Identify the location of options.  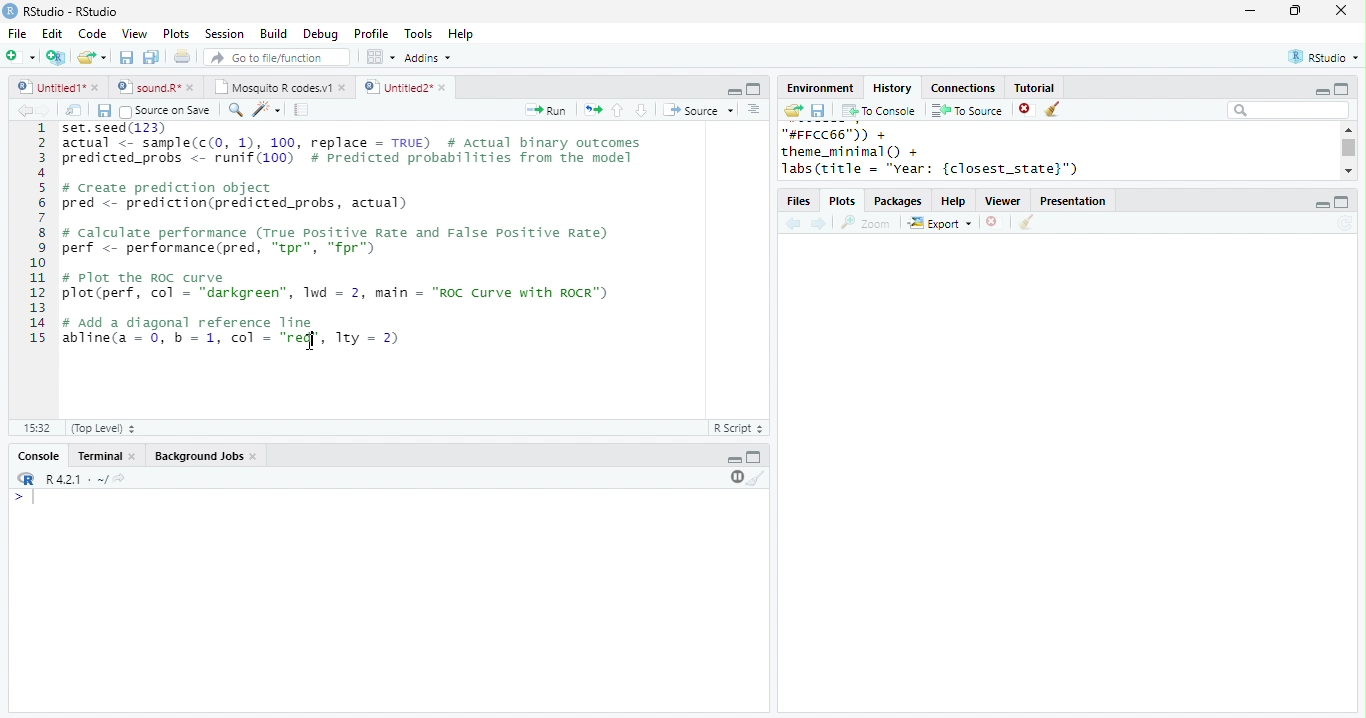
(754, 109).